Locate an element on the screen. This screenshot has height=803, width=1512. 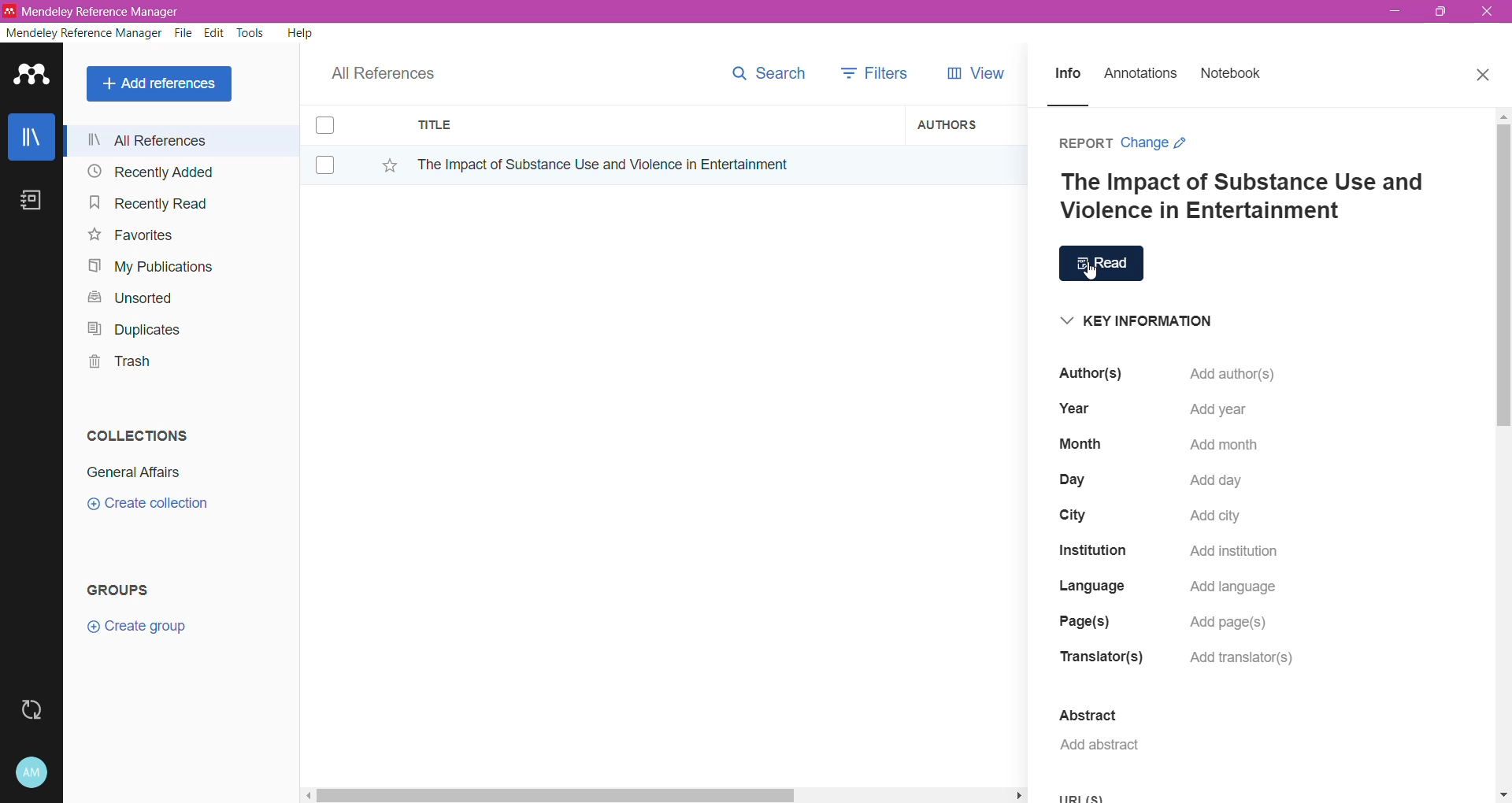
Click to Add year is located at coordinates (1226, 409).